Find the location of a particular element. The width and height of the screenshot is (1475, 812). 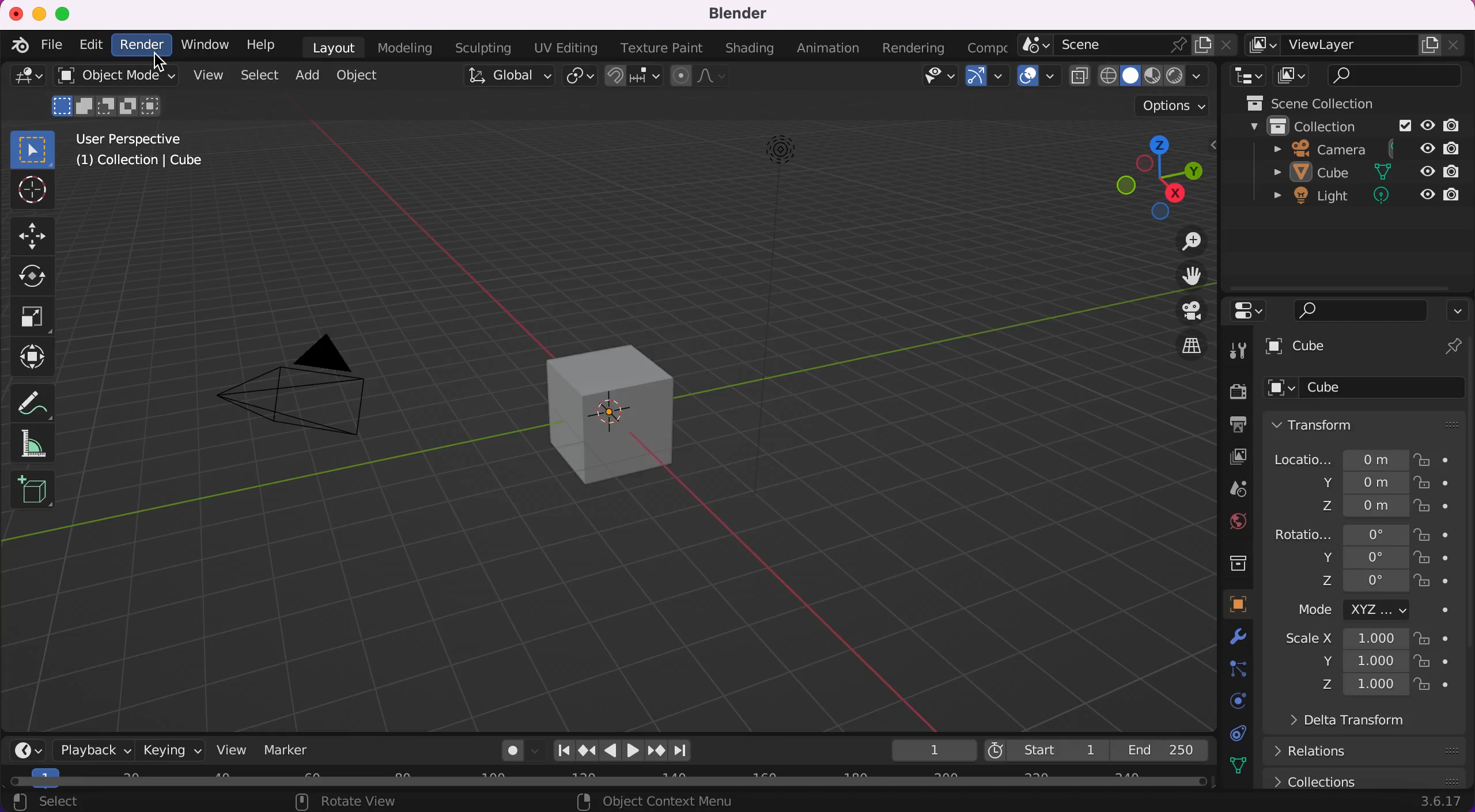

data is located at coordinates (1235, 765).